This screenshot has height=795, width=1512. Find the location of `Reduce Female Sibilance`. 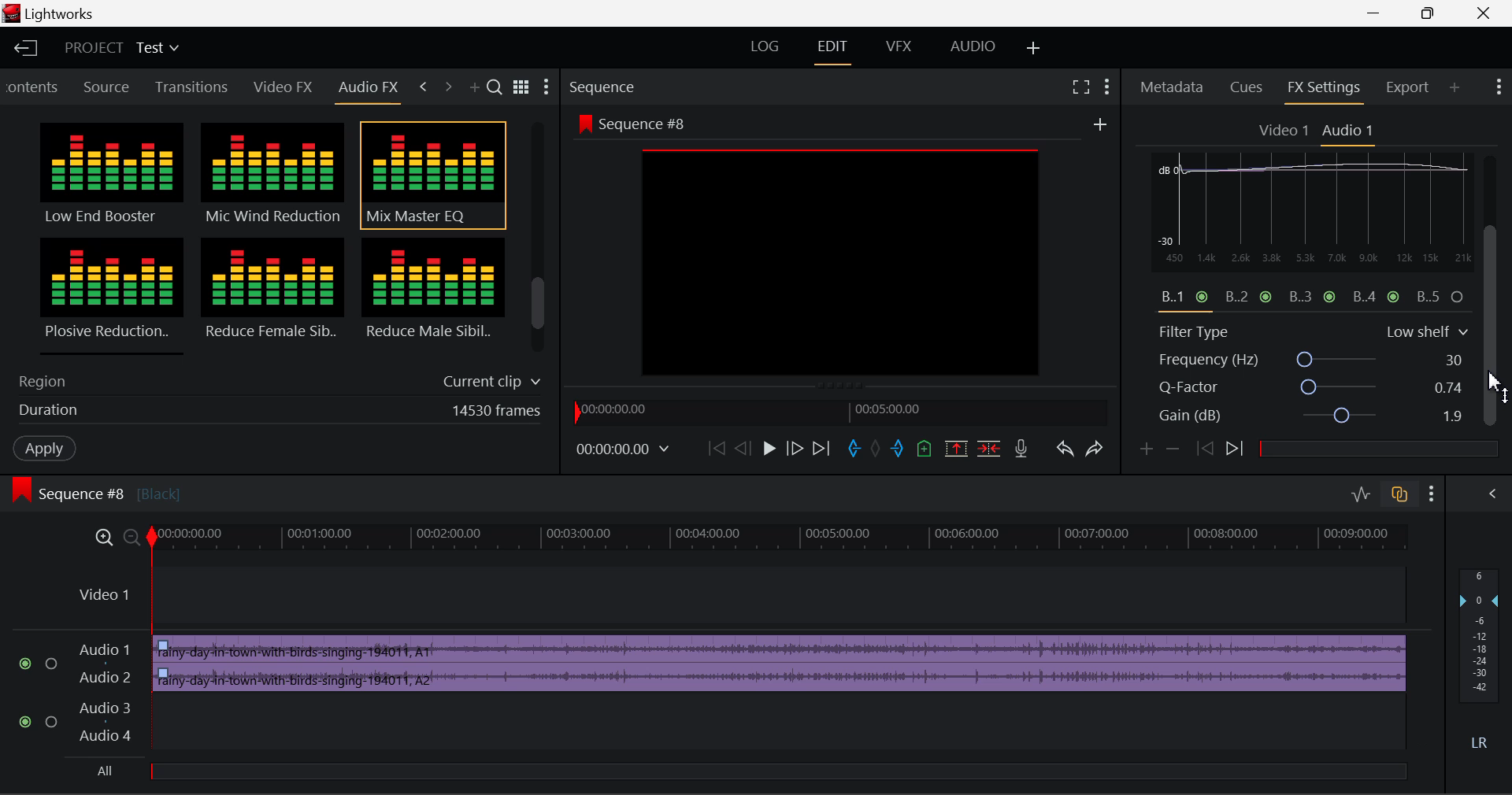

Reduce Female Sibilance is located at coordinates (273, 296).